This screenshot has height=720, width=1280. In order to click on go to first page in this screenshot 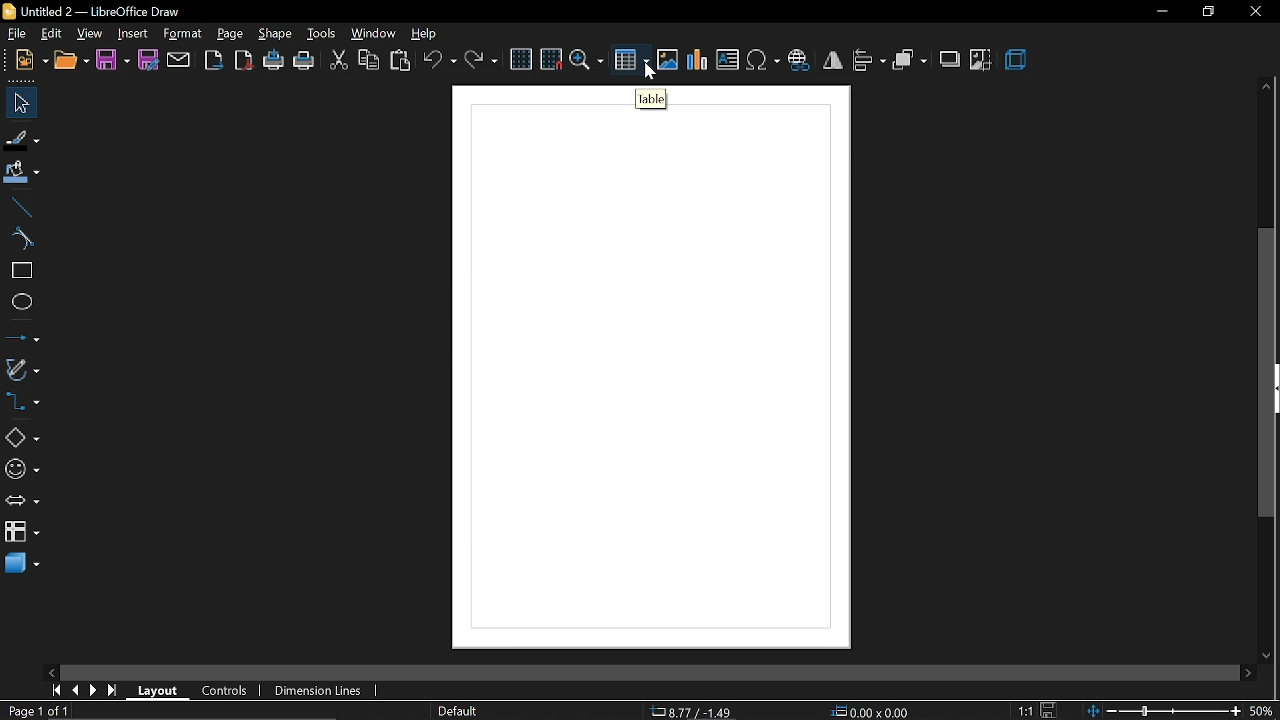, I will do `click(58, 690)`.